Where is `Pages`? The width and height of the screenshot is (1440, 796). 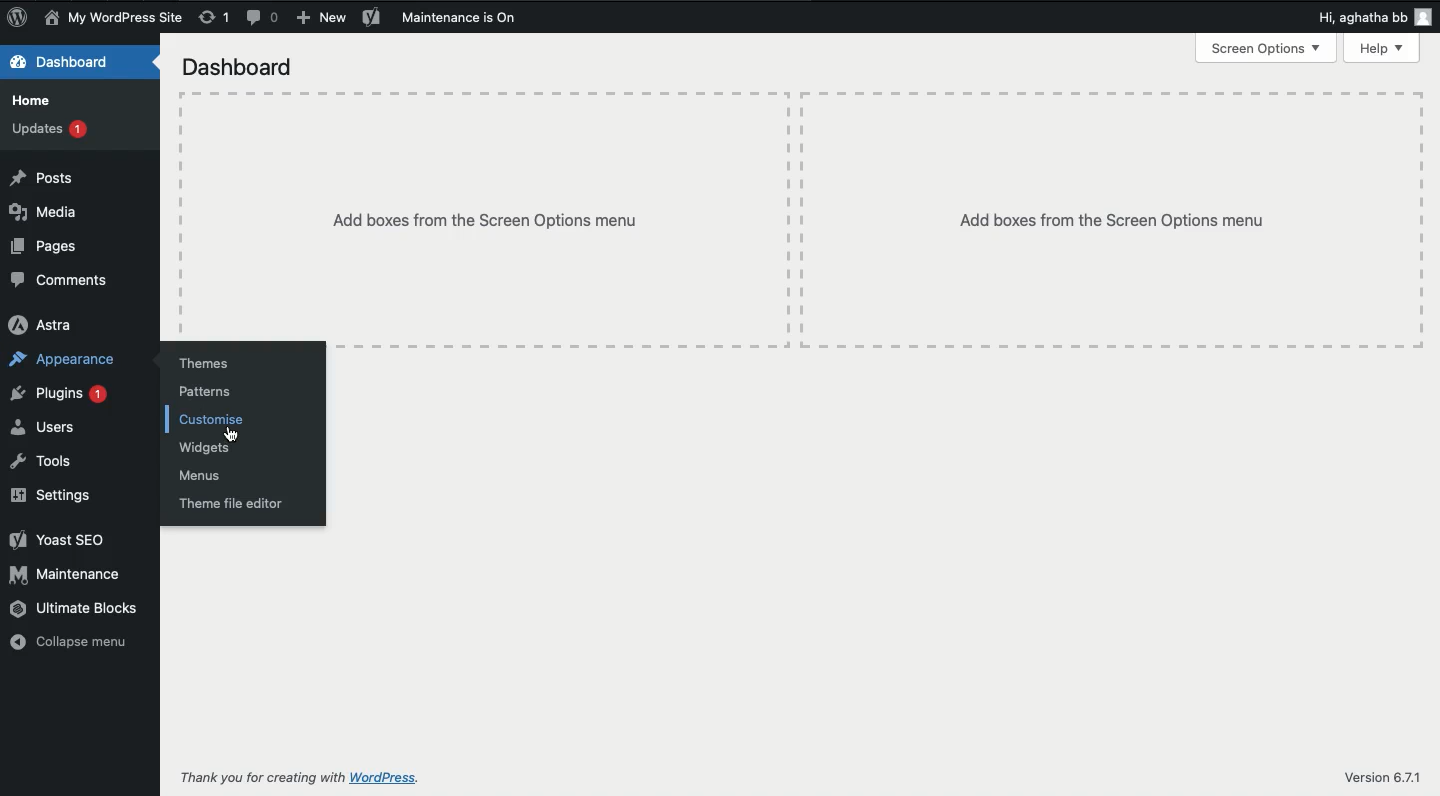 Pages is located at coordinates (46, 246).